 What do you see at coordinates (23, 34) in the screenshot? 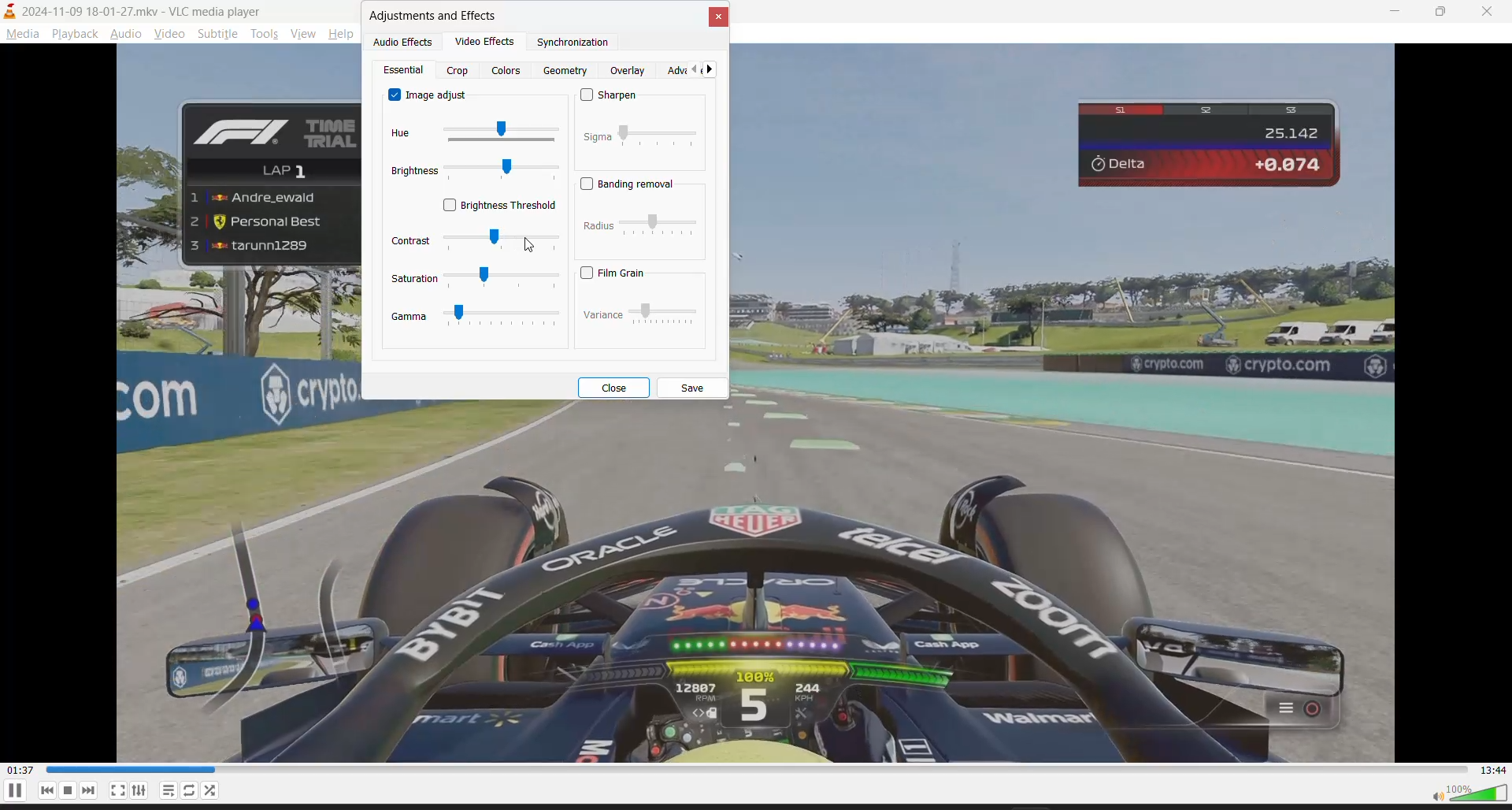
I see `media` at bounding box center [23, 34].